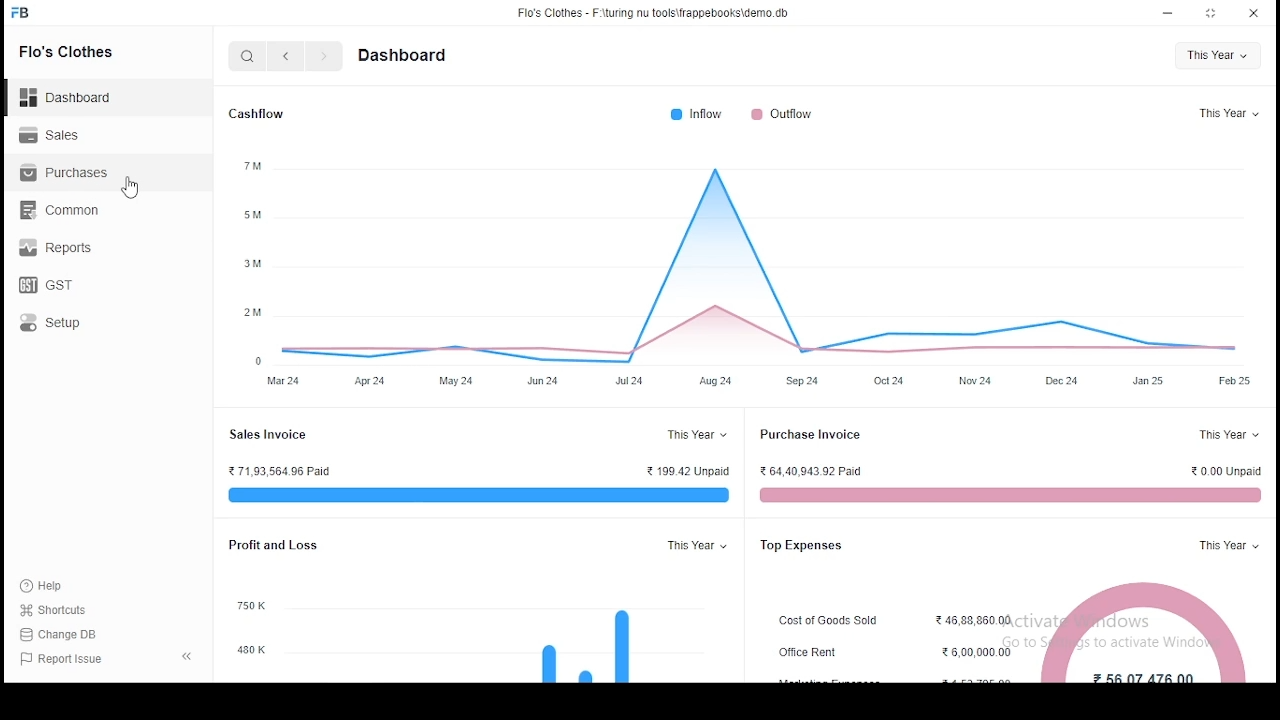 The width and height of the screenshot is (1280, 720). What do you see at coordinates (60, 209) in the screenshot?
I see `common` at bounding box center [60, 209].